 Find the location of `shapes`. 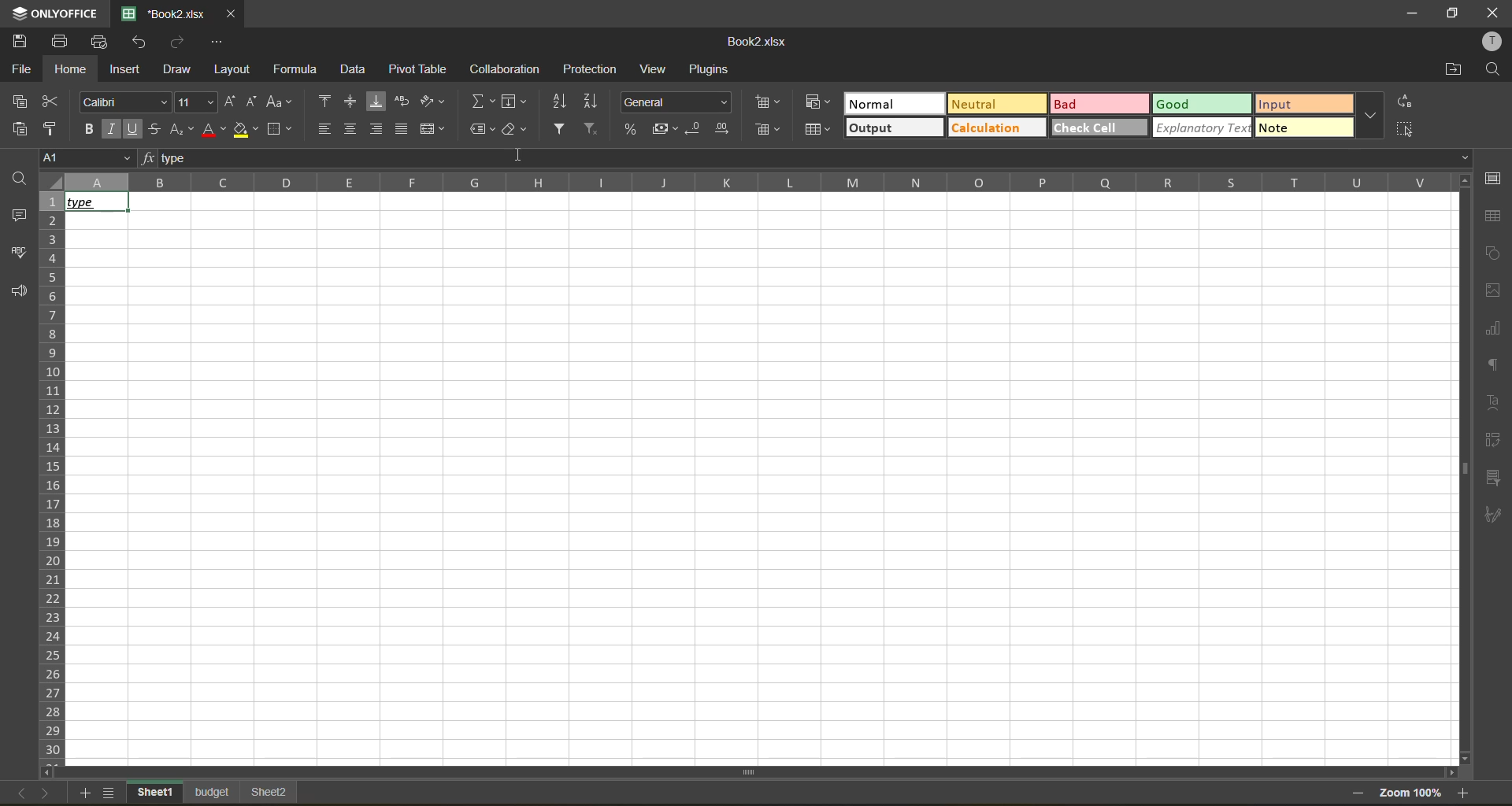

shapes is located at coordinates (1493, 255).